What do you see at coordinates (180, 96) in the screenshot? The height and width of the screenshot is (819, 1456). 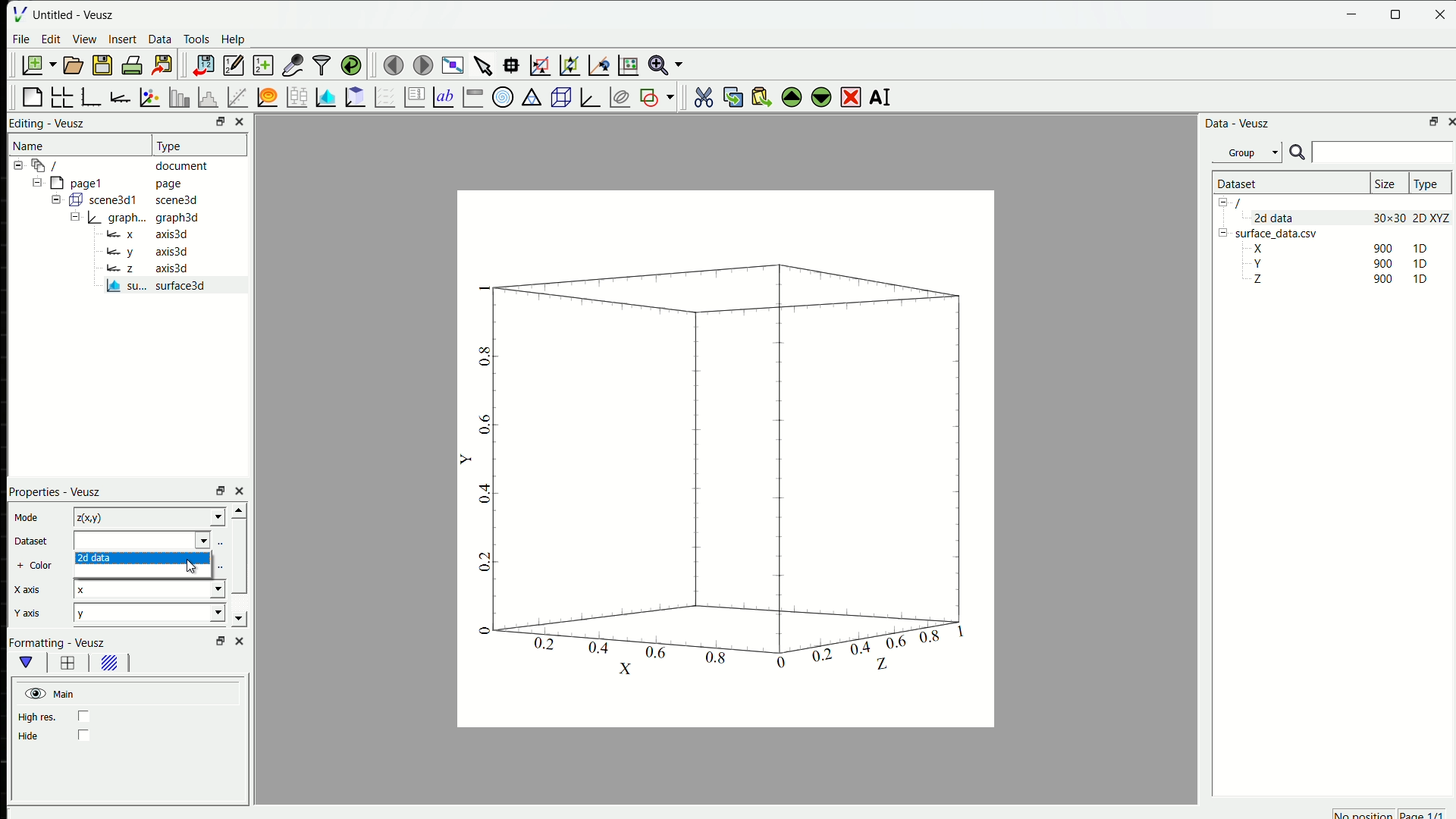 I see `plot bar charts ` at bounding box center [180, 96].